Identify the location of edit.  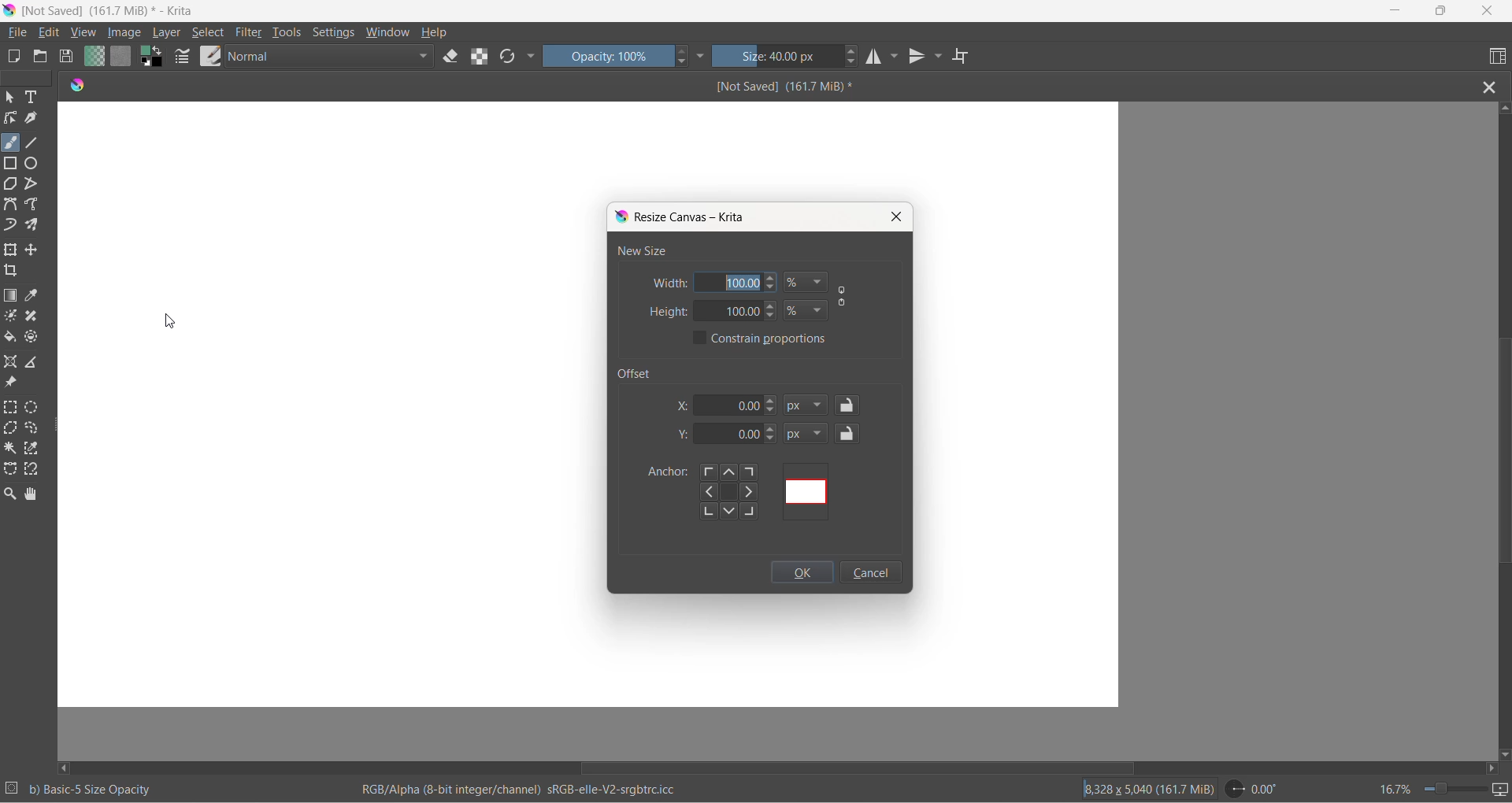
(53, 33).